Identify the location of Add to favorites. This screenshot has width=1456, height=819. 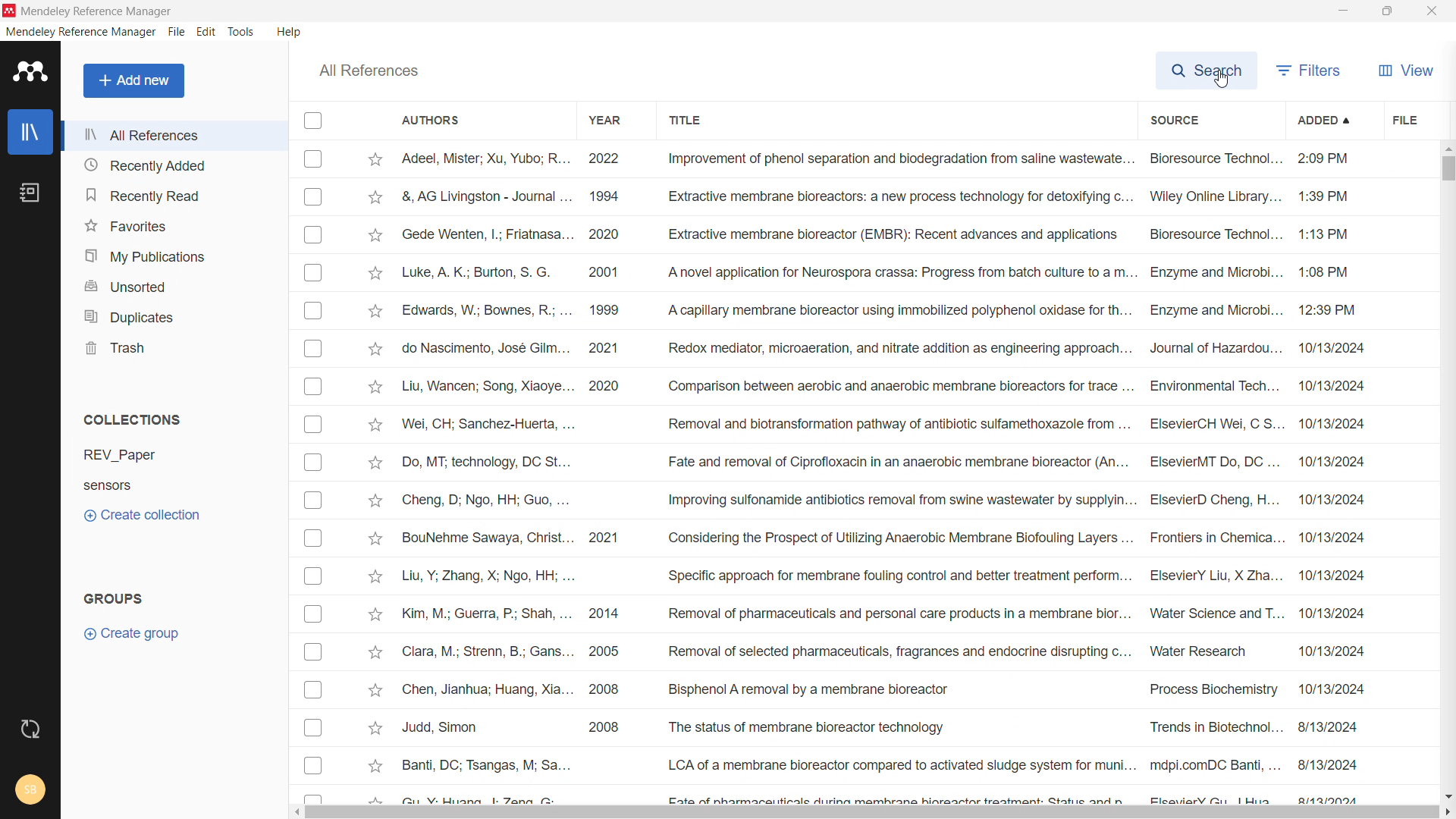
(373, 309).